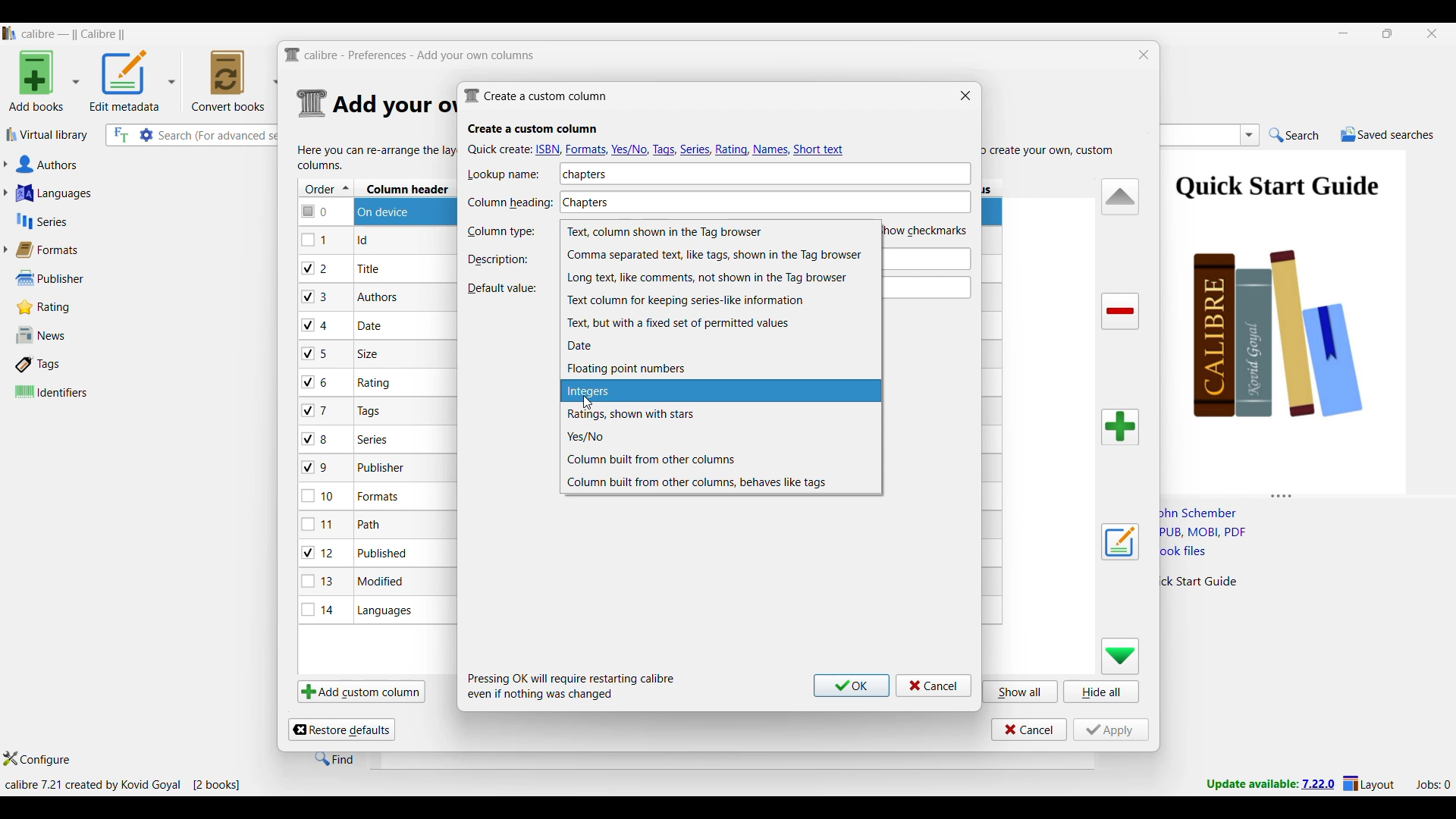 The width and height of the screenshot is (1456, 819). I want to click on checkbox - 4, so click(315, 325).